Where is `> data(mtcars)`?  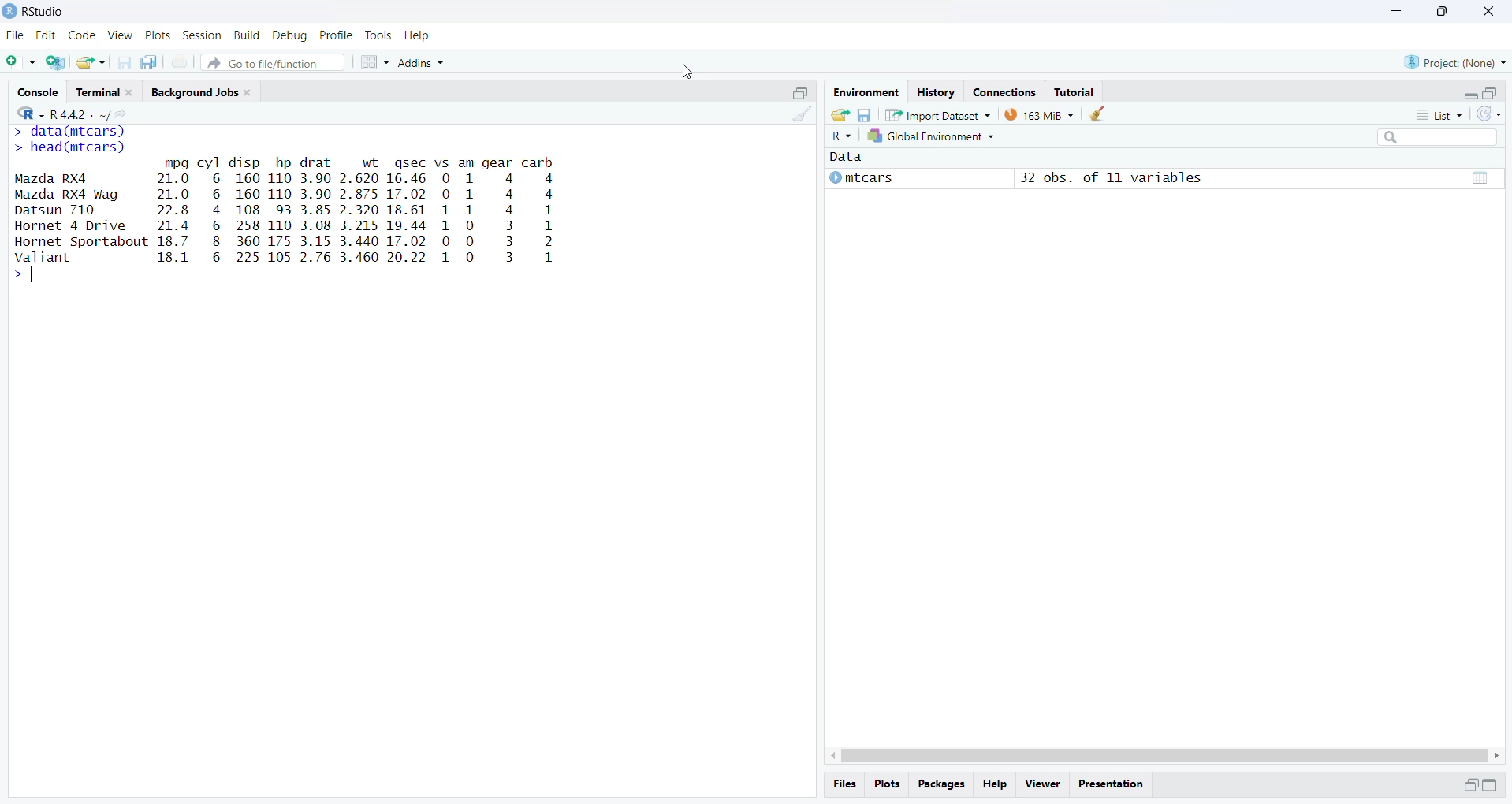 > data(mtcars) is located at coordinates (69, 132).